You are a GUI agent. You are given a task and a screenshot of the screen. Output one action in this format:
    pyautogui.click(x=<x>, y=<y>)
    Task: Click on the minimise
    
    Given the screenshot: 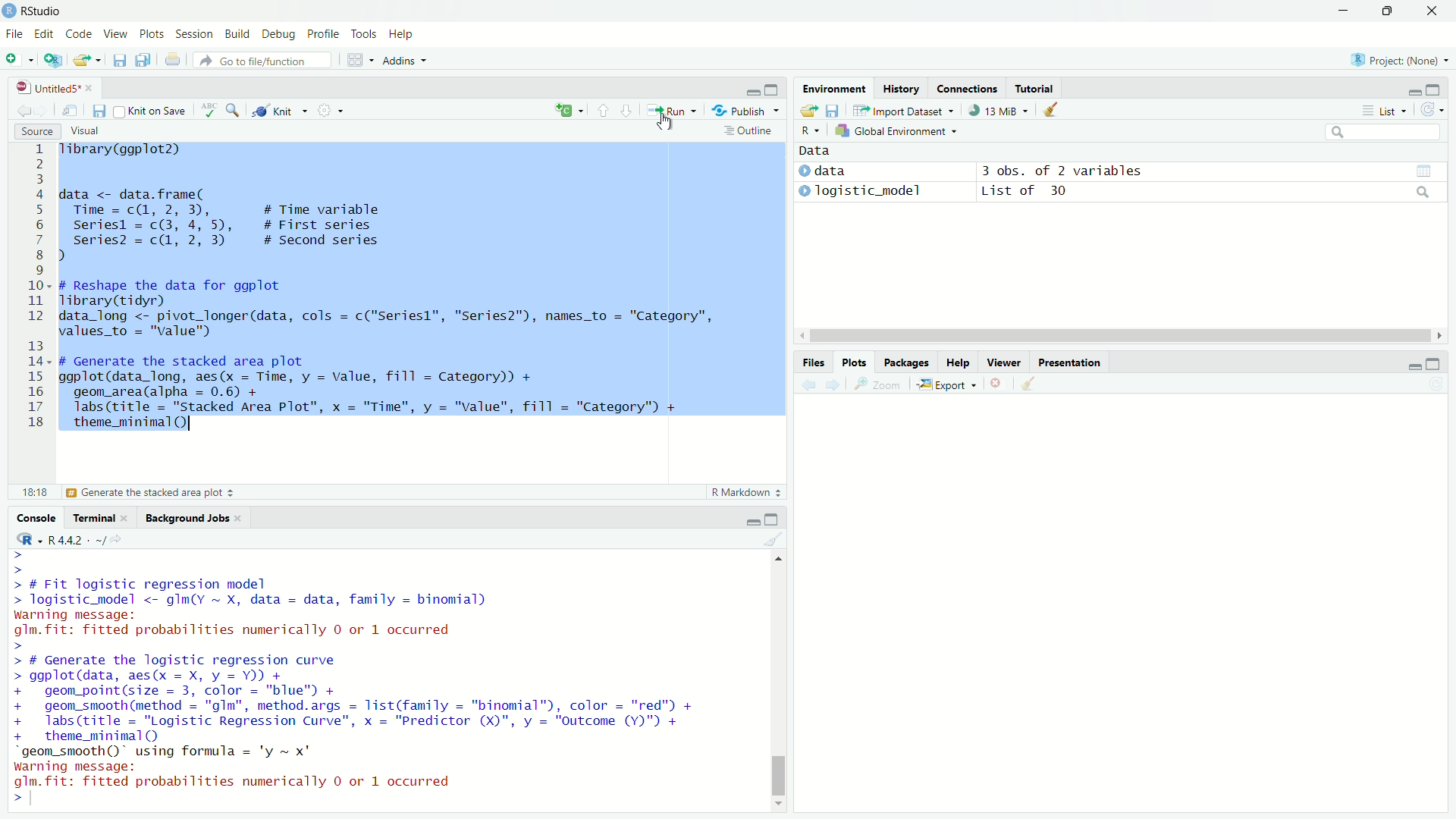 What is the action you would take?
    pyautogui.click(x=1409, y=365)
    